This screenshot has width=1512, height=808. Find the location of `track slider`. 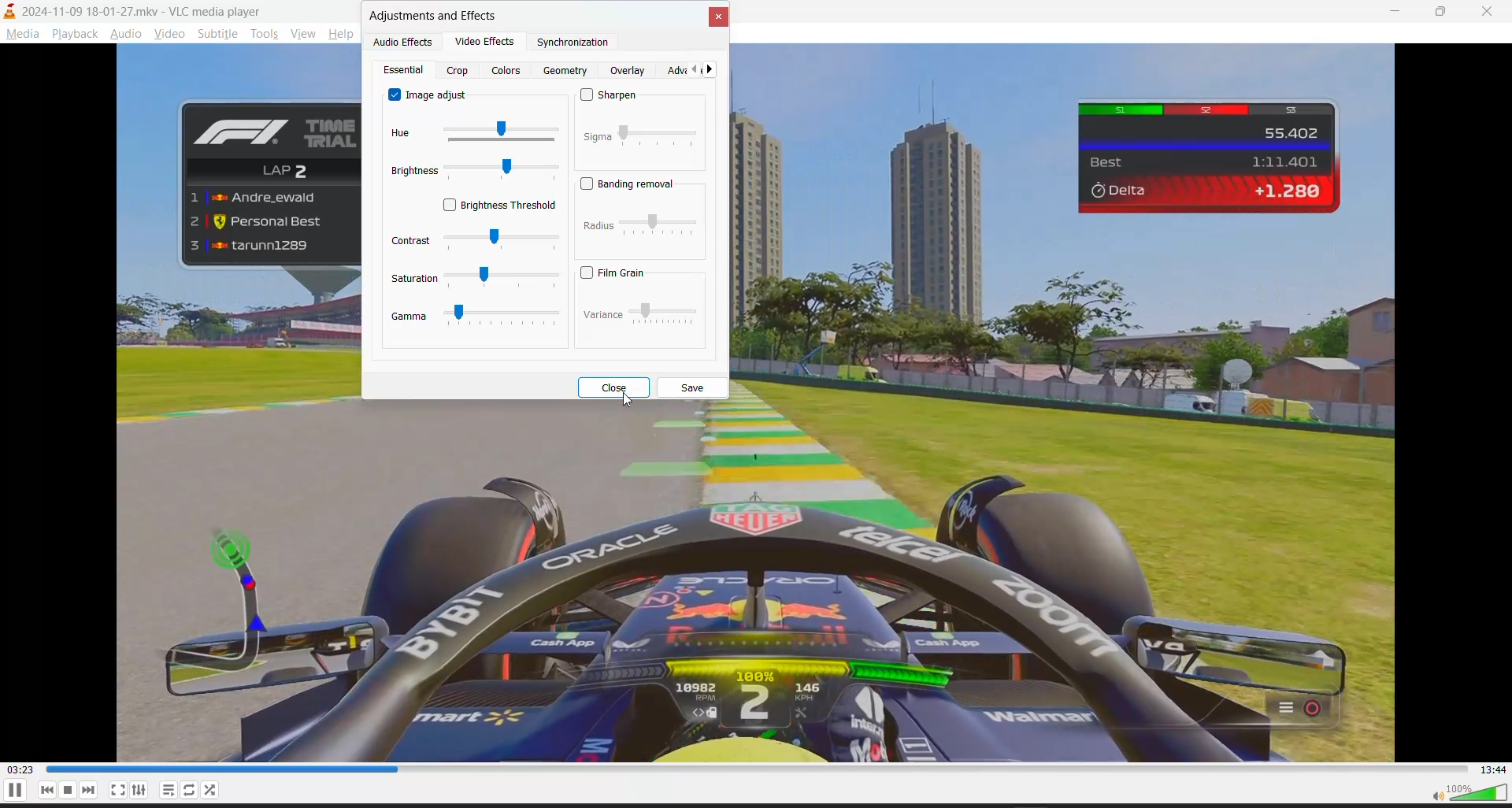

track slider is located at coordinates (758, 769).